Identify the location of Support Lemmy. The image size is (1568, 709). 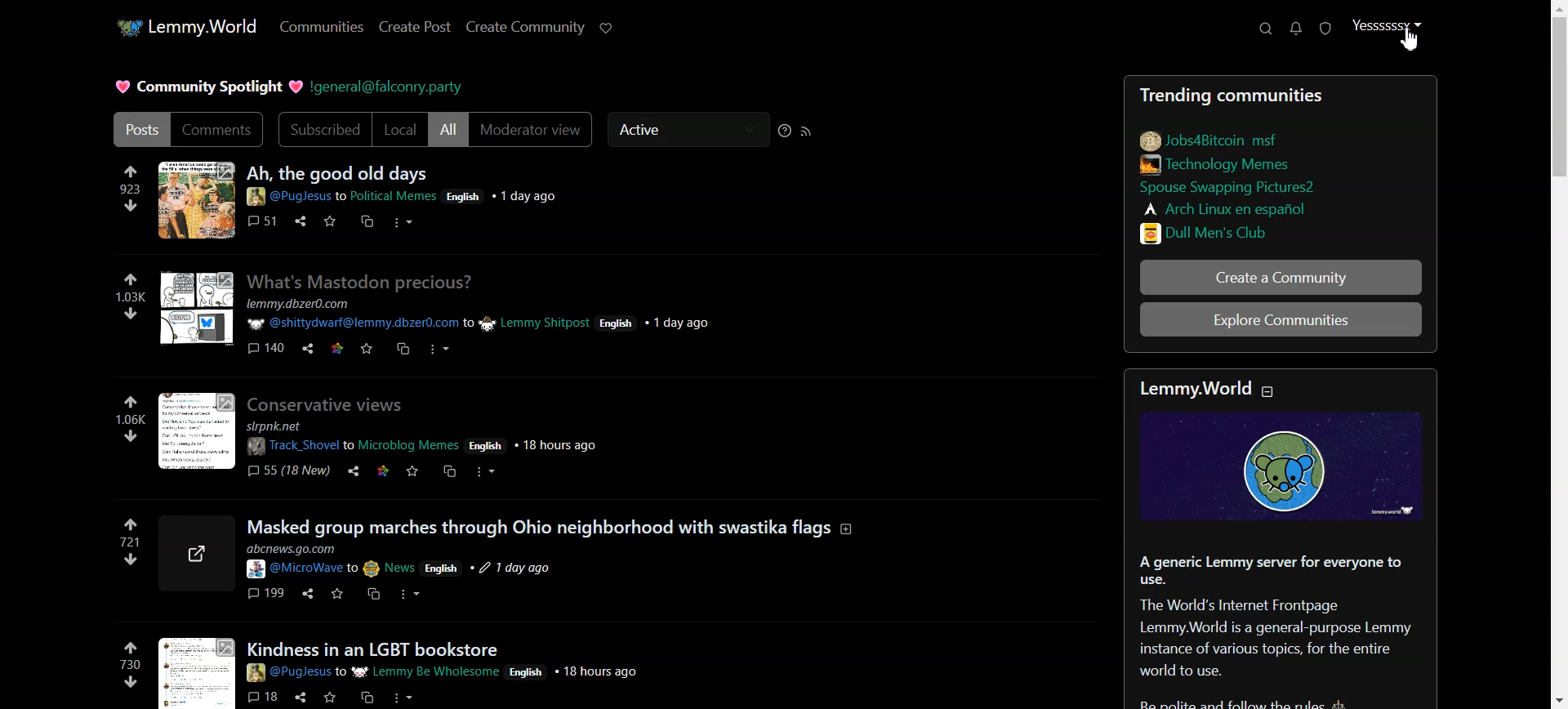
(608, 28).